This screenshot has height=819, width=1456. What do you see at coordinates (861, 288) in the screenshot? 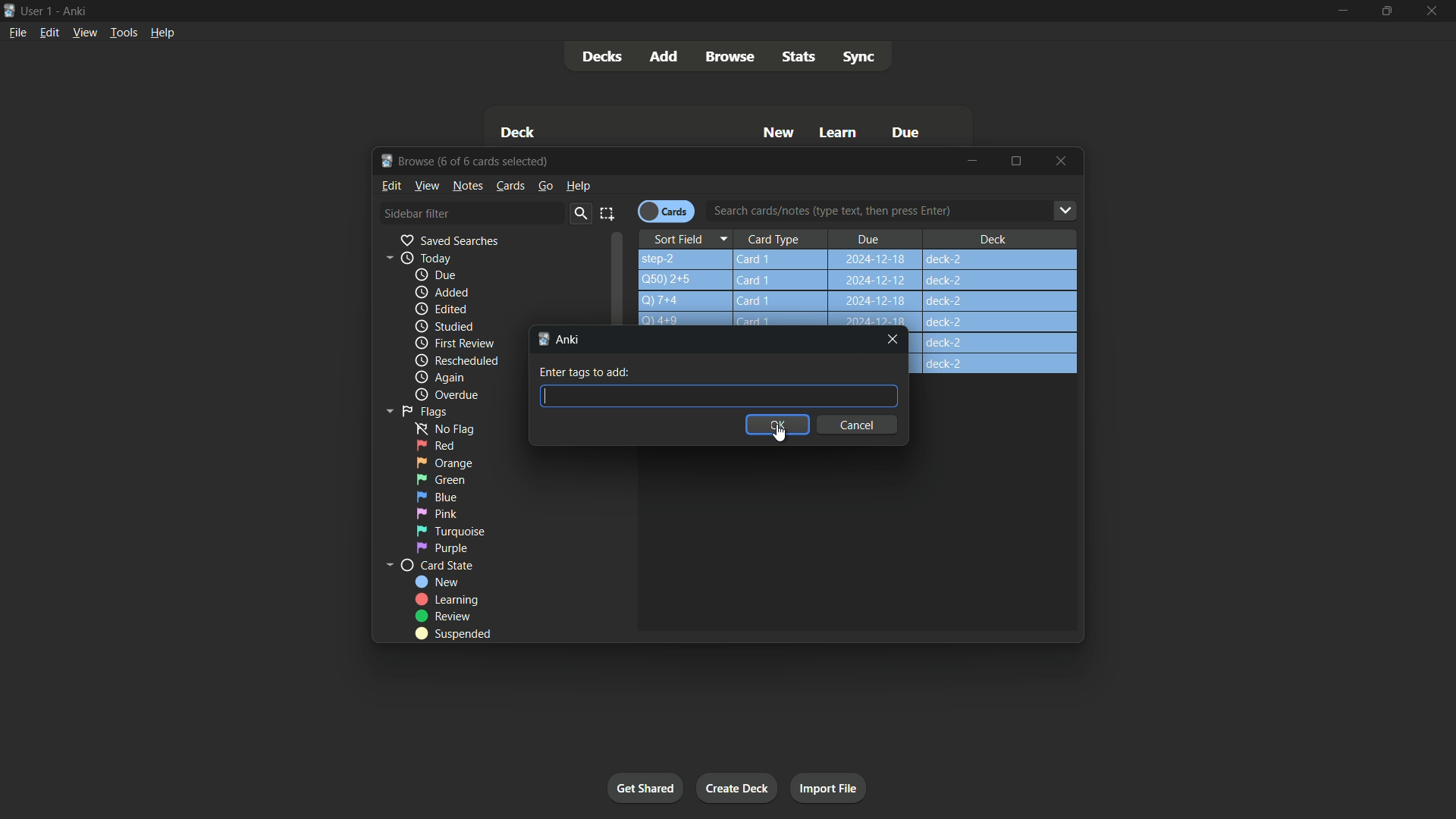
I see `step-2 Card1 2024-12-18 deck-2 Q)50)2+5Q)7+4 Card1 2024-12-18 deck-2  14+9 Card 1 how can youg.. Card 1 2024-12-18 deck-2  a Card 1 2024-12-18 deck-2 ` at bounding box center [861, 288].